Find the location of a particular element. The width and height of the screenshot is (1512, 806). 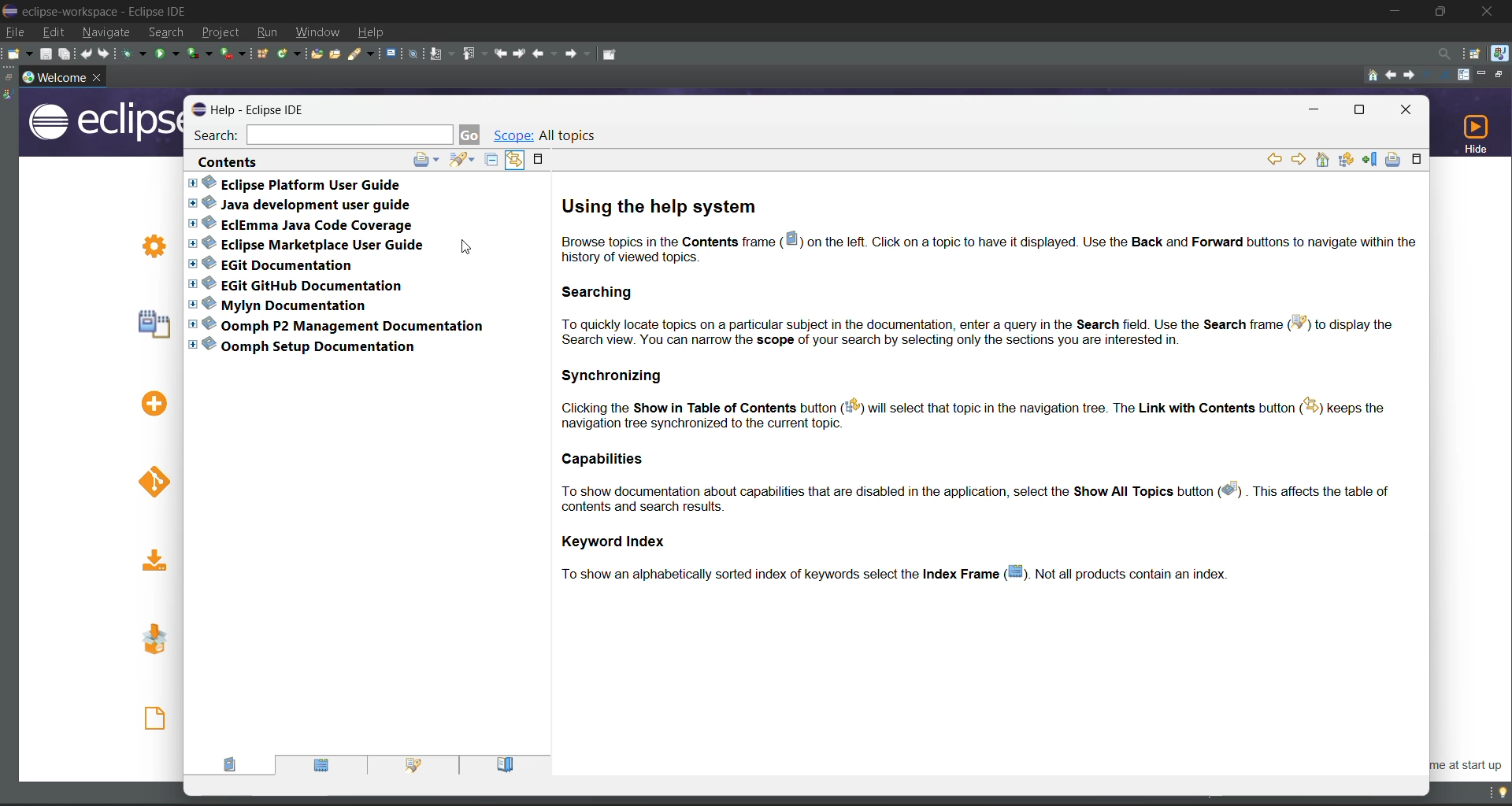

capabilities is located at coordinates (986, 488).